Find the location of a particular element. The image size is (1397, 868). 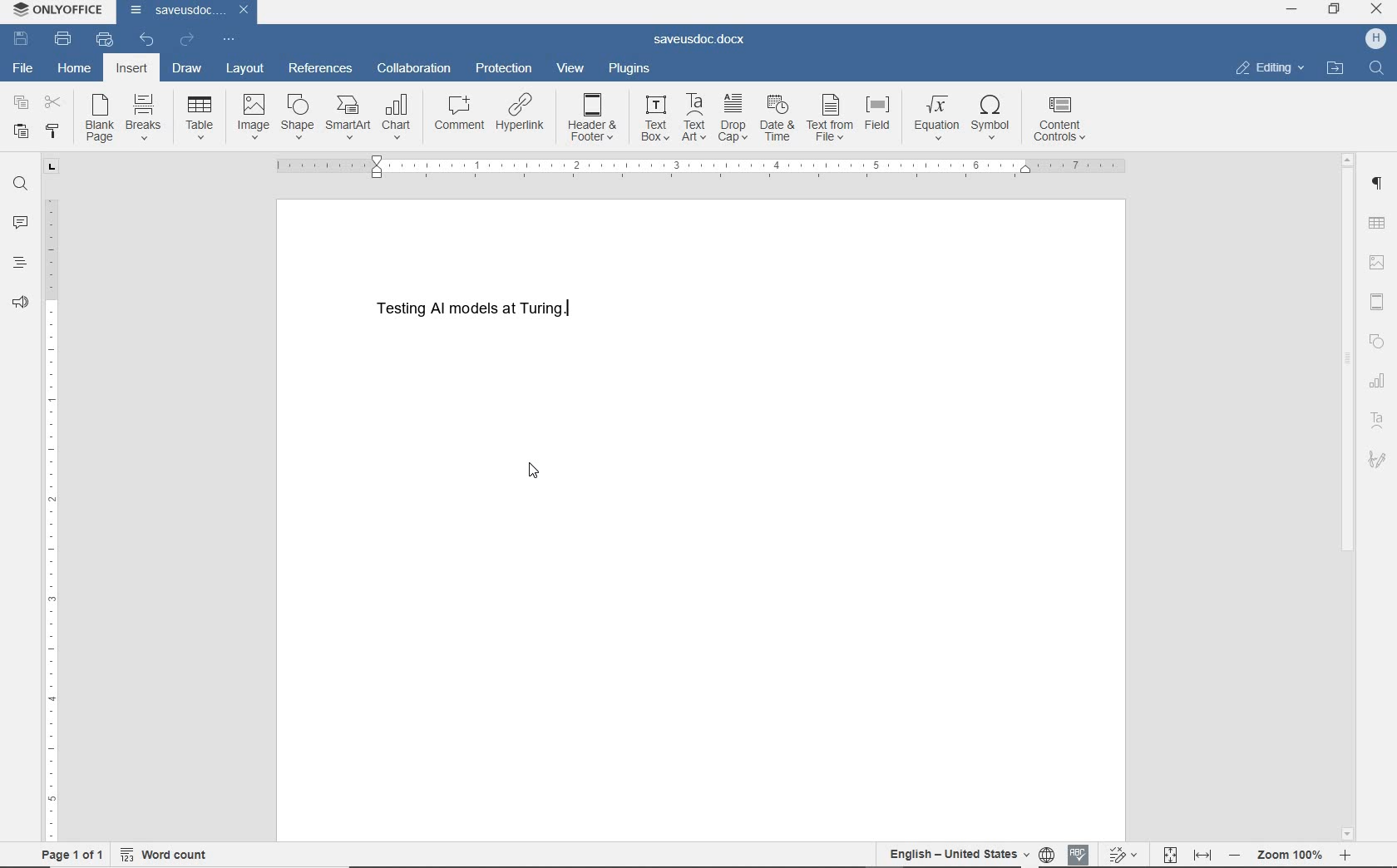

content controls is located at coordinates (1063, 121).